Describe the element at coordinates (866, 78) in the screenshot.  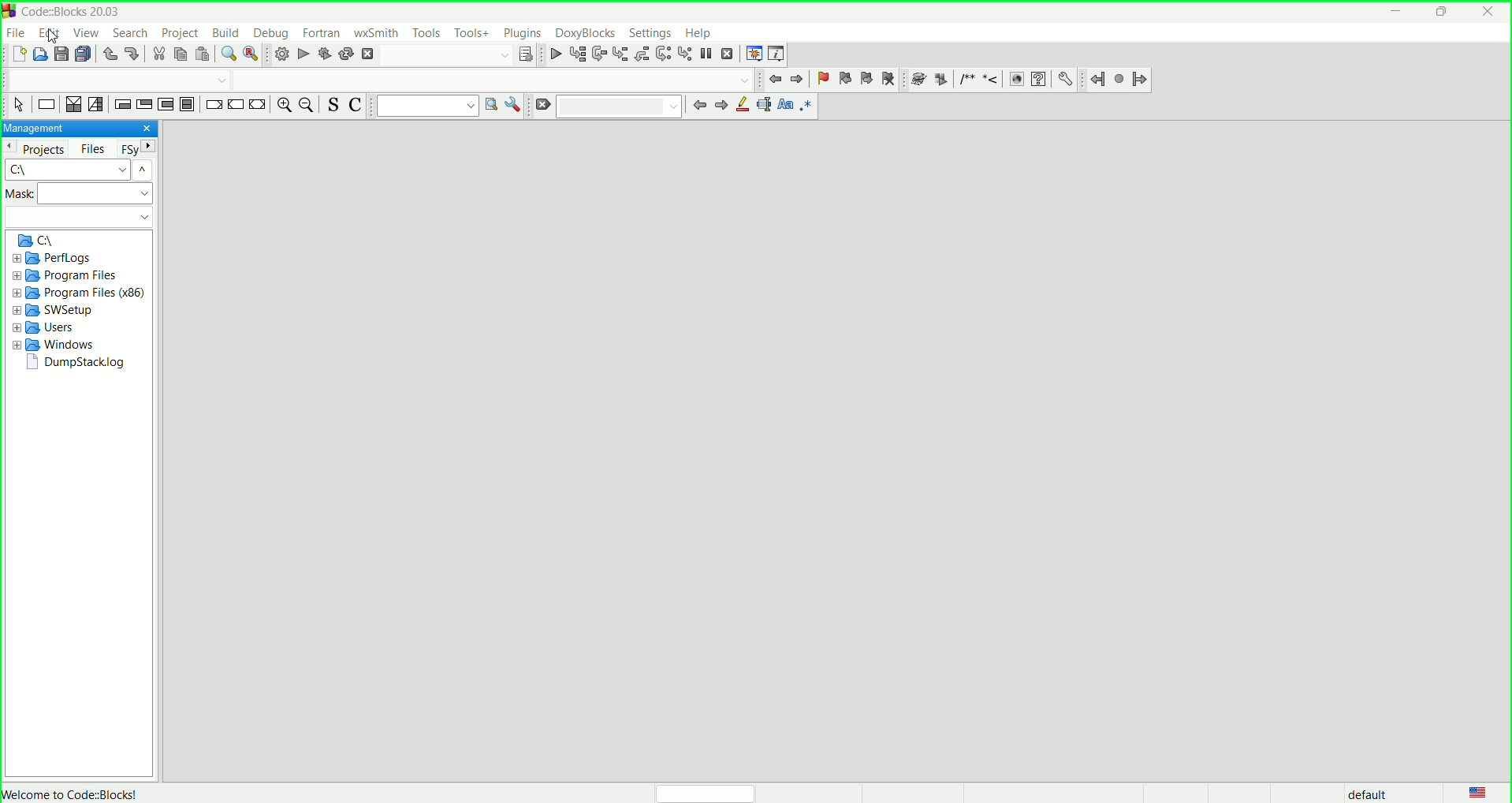
I see `next bookmark` at that location.